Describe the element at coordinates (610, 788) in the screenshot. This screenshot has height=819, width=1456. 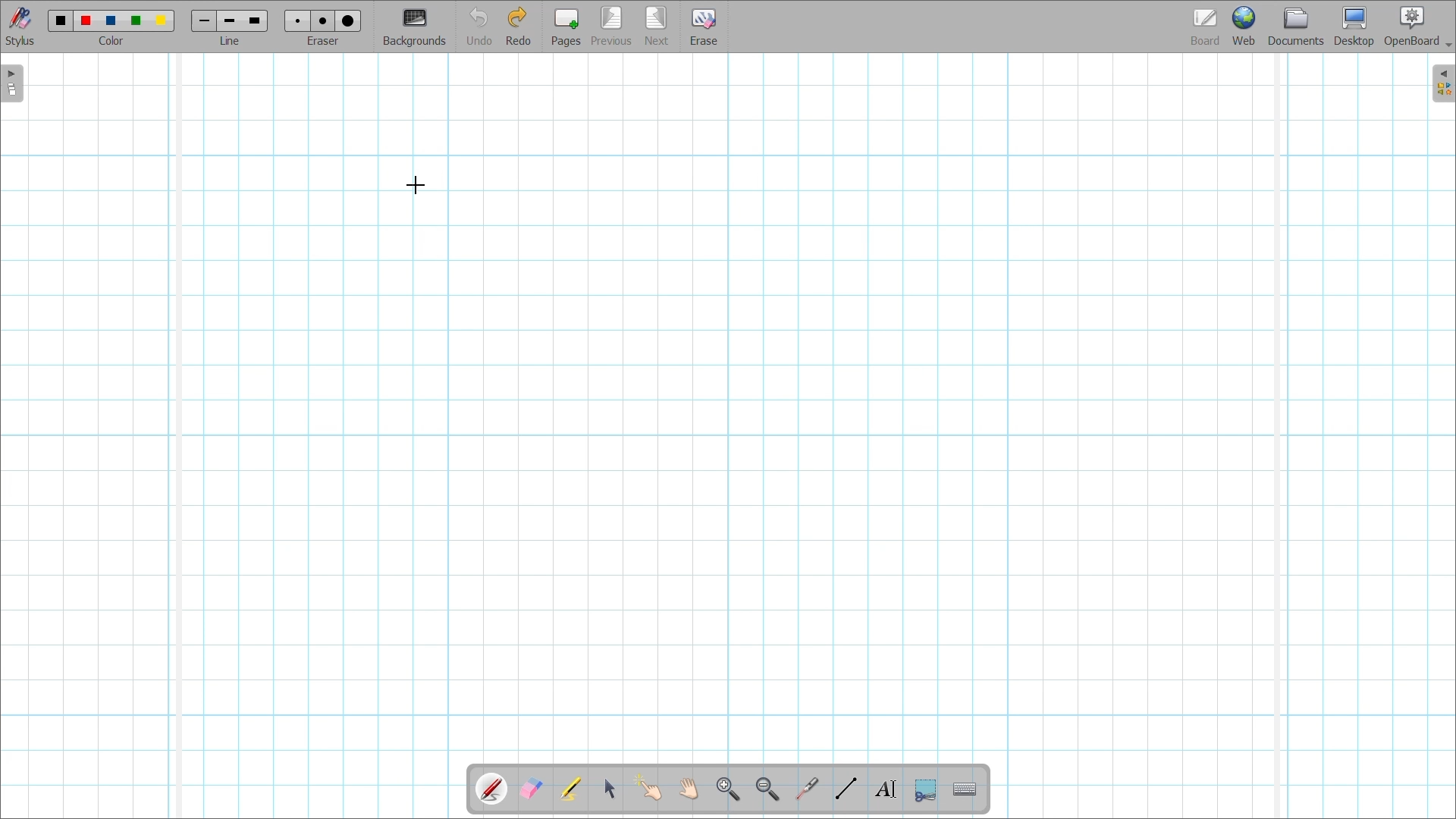
I see `Select and modify objects` at that location.